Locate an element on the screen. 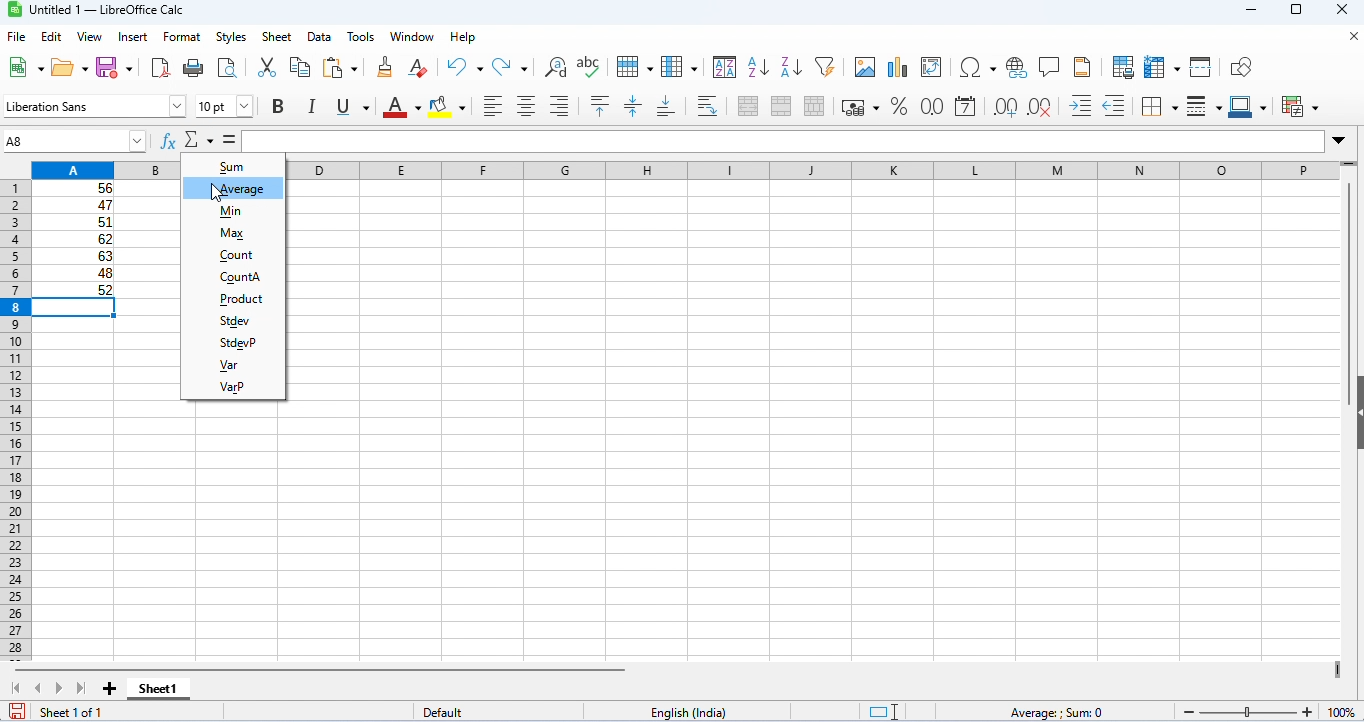  window is located at coordinates (415, 37).